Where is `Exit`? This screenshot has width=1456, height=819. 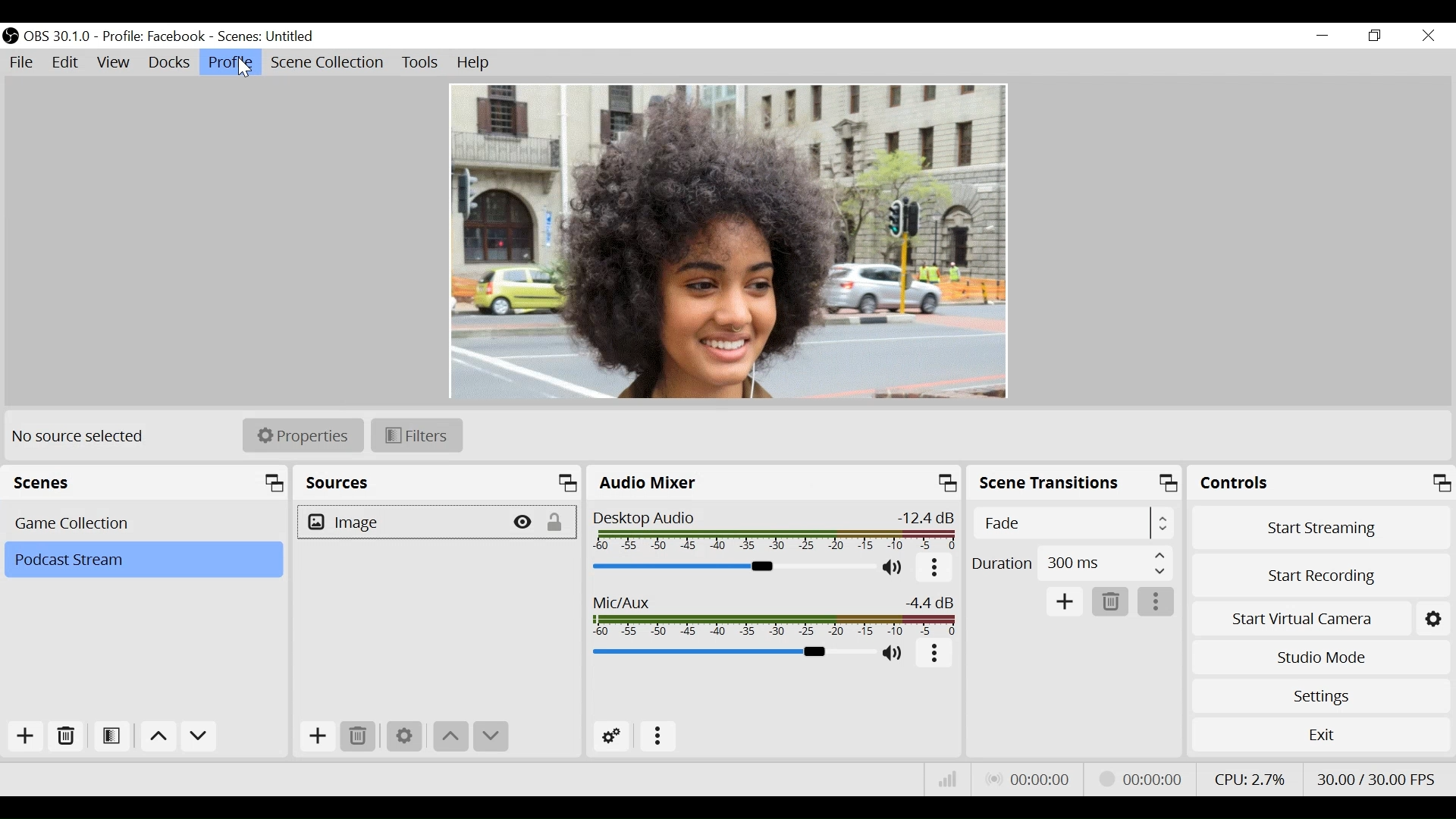 Exit is located at coordinates (1319, 733).